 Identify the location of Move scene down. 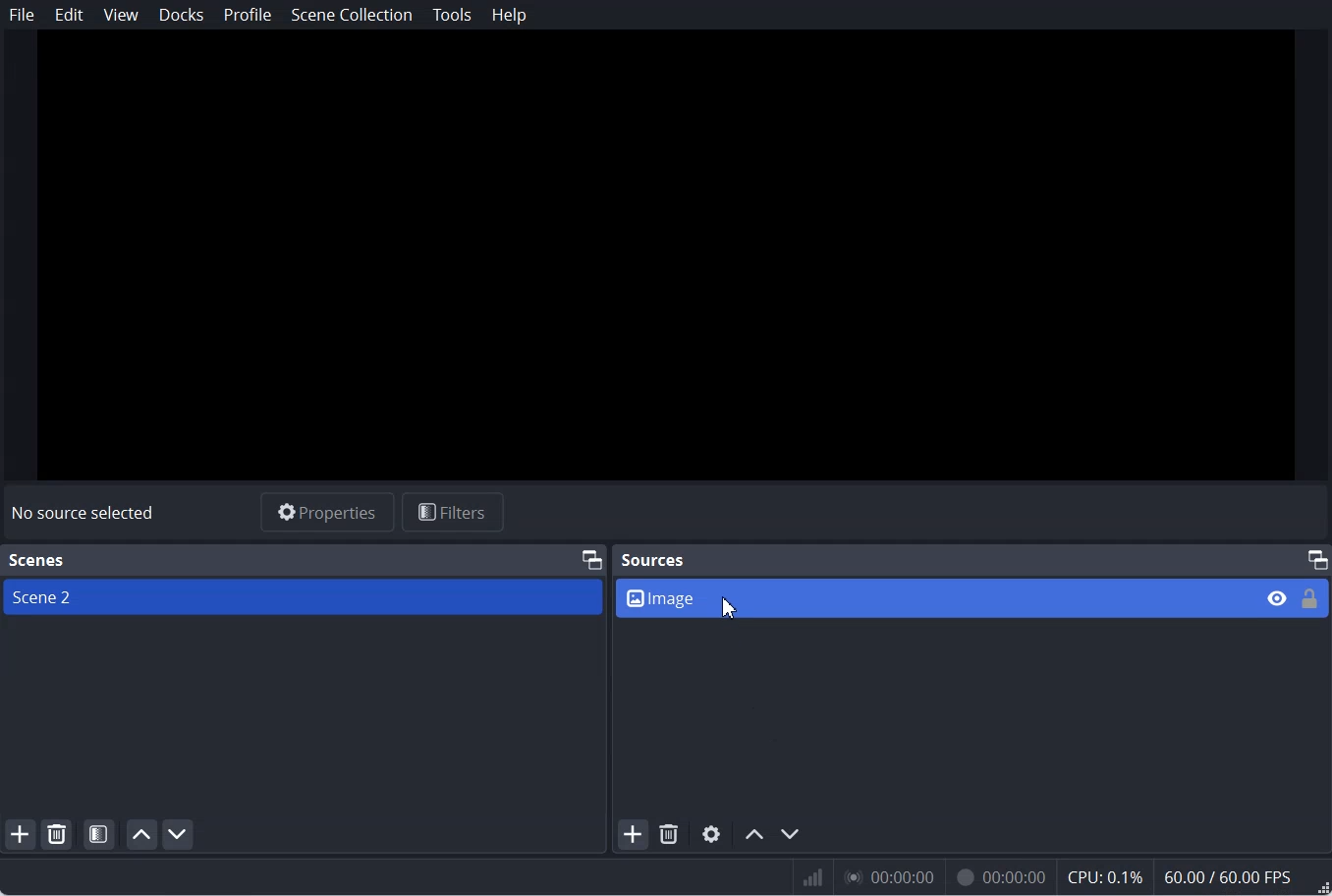
(178, 834).